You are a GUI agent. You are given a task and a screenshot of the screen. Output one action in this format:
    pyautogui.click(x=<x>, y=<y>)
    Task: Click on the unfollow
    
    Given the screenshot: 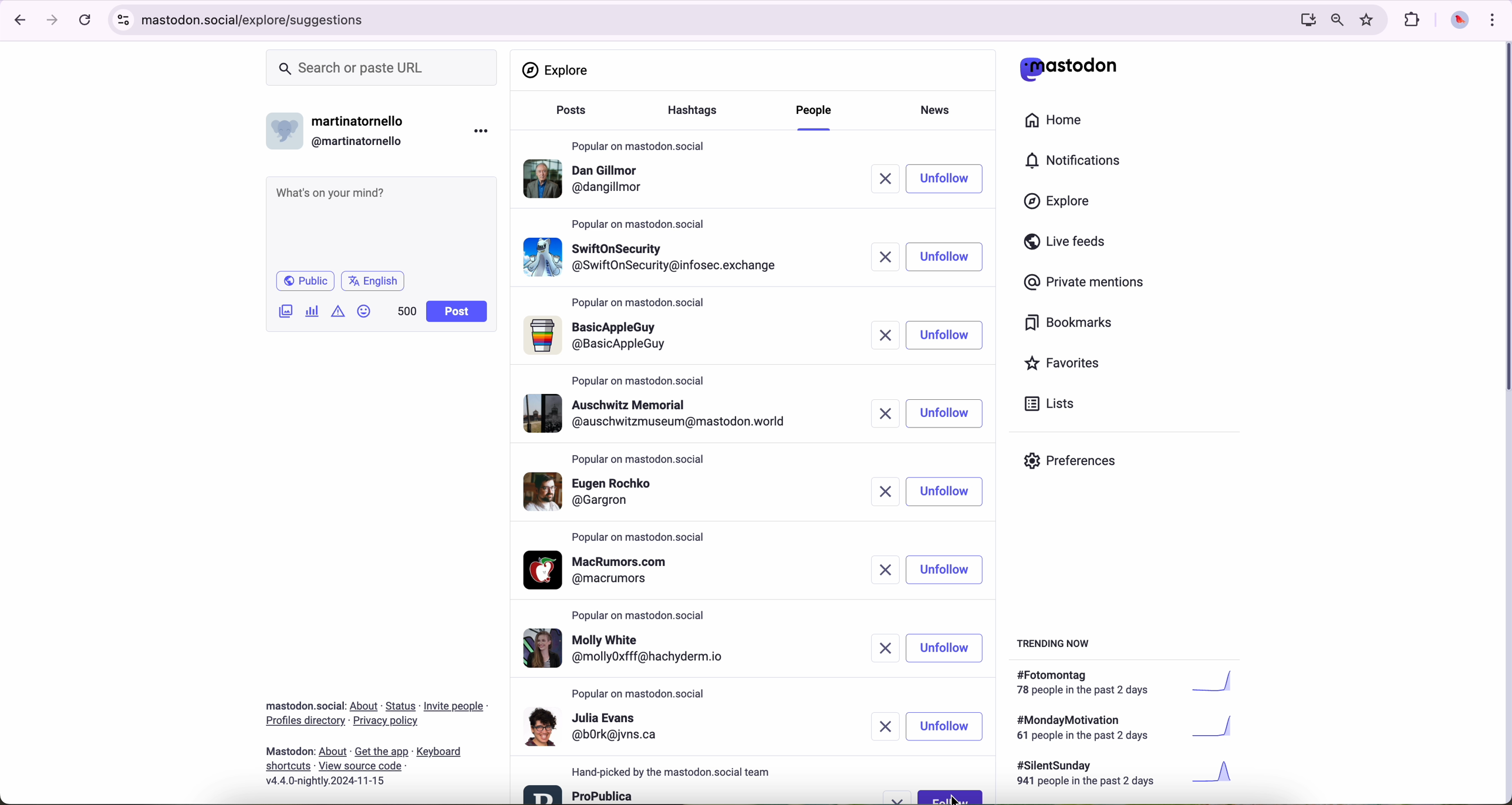 What is the action you would take?
    pyautogui.click(x=947, y=647)
    